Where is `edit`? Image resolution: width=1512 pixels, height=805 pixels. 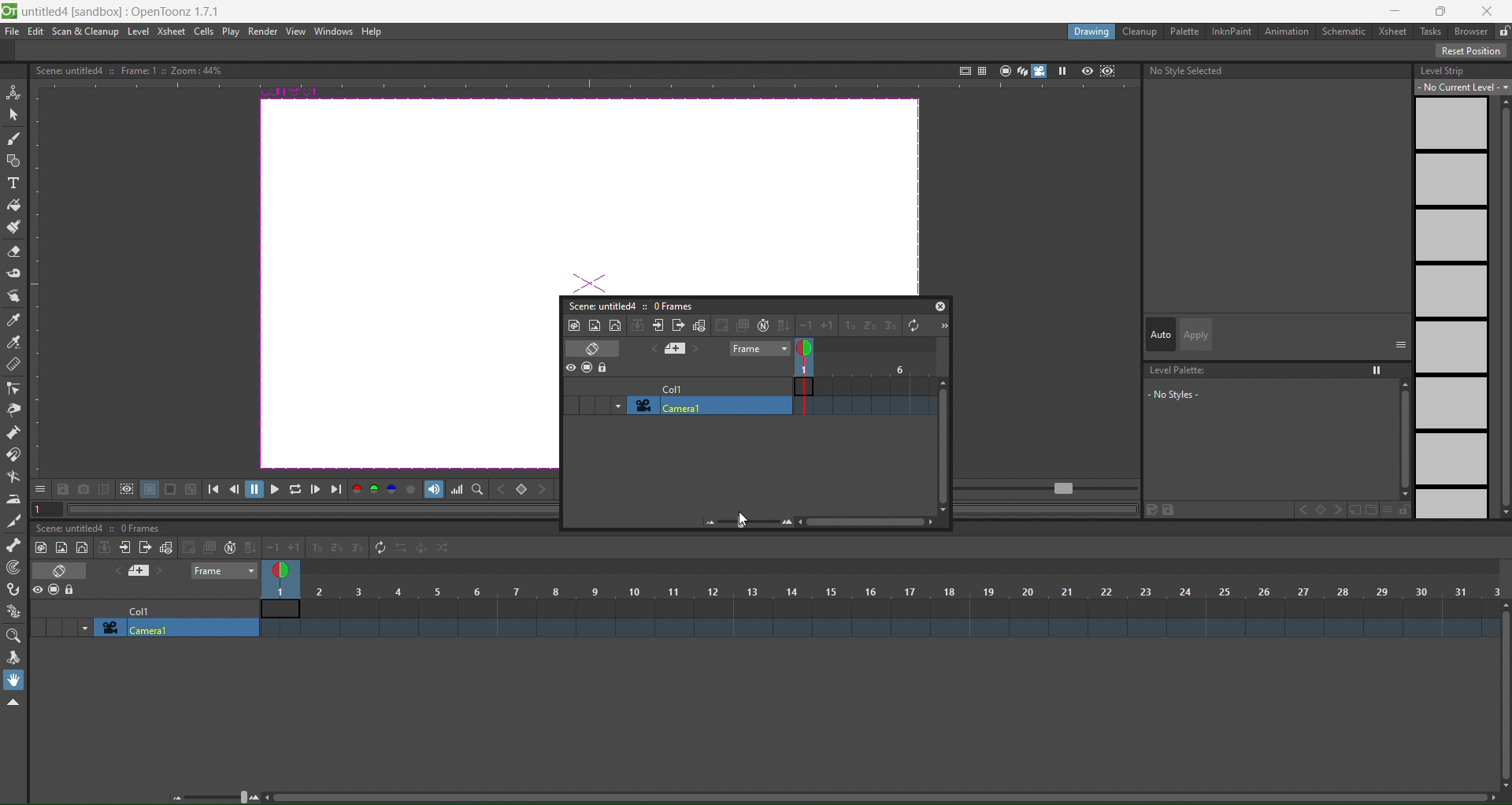
edit is located at coordinates (35, 32).